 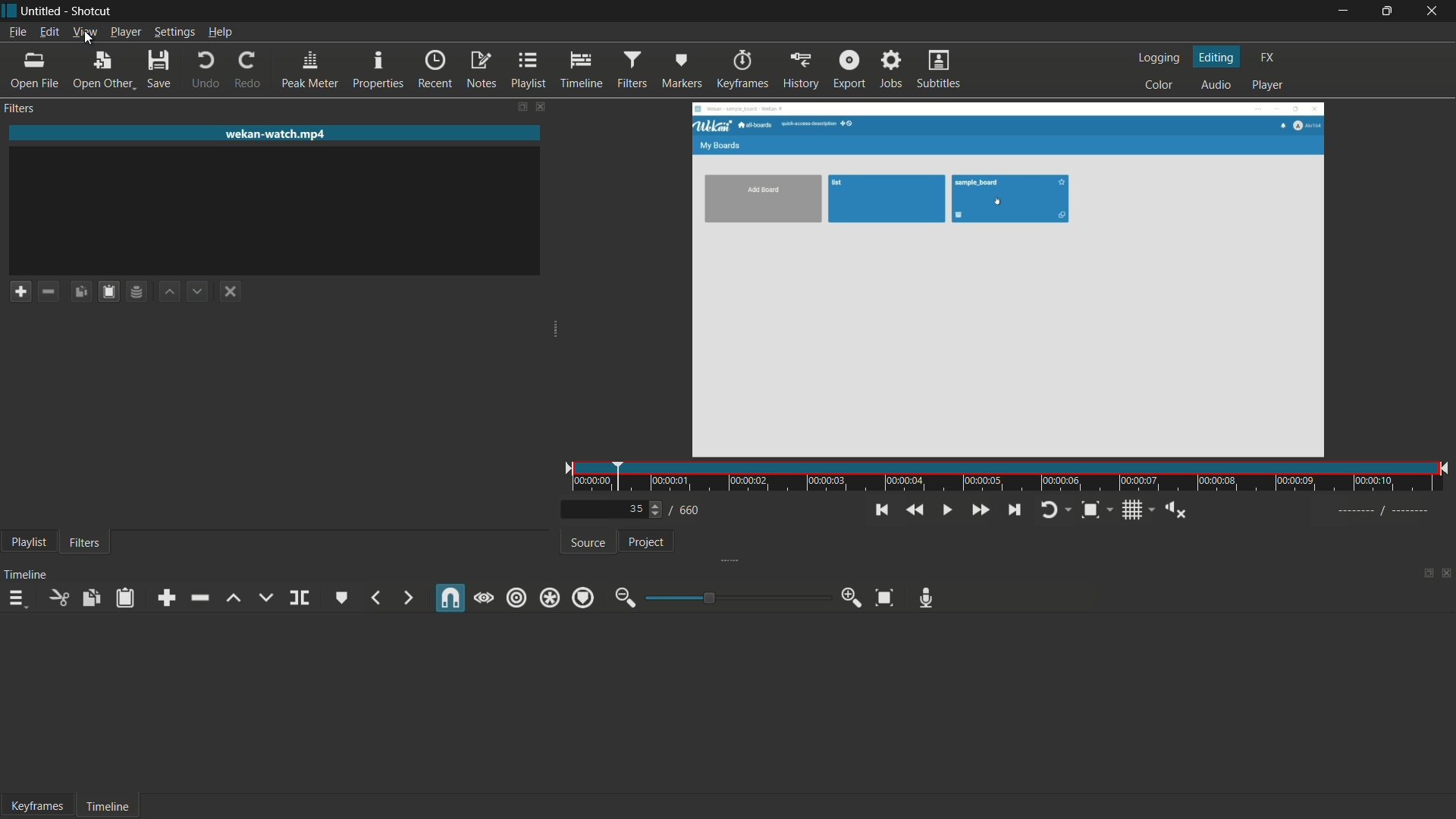 What do you see at coordinates (49, 32) in the screenshot?
I see `edit menu` at bounding box center [49, 32].